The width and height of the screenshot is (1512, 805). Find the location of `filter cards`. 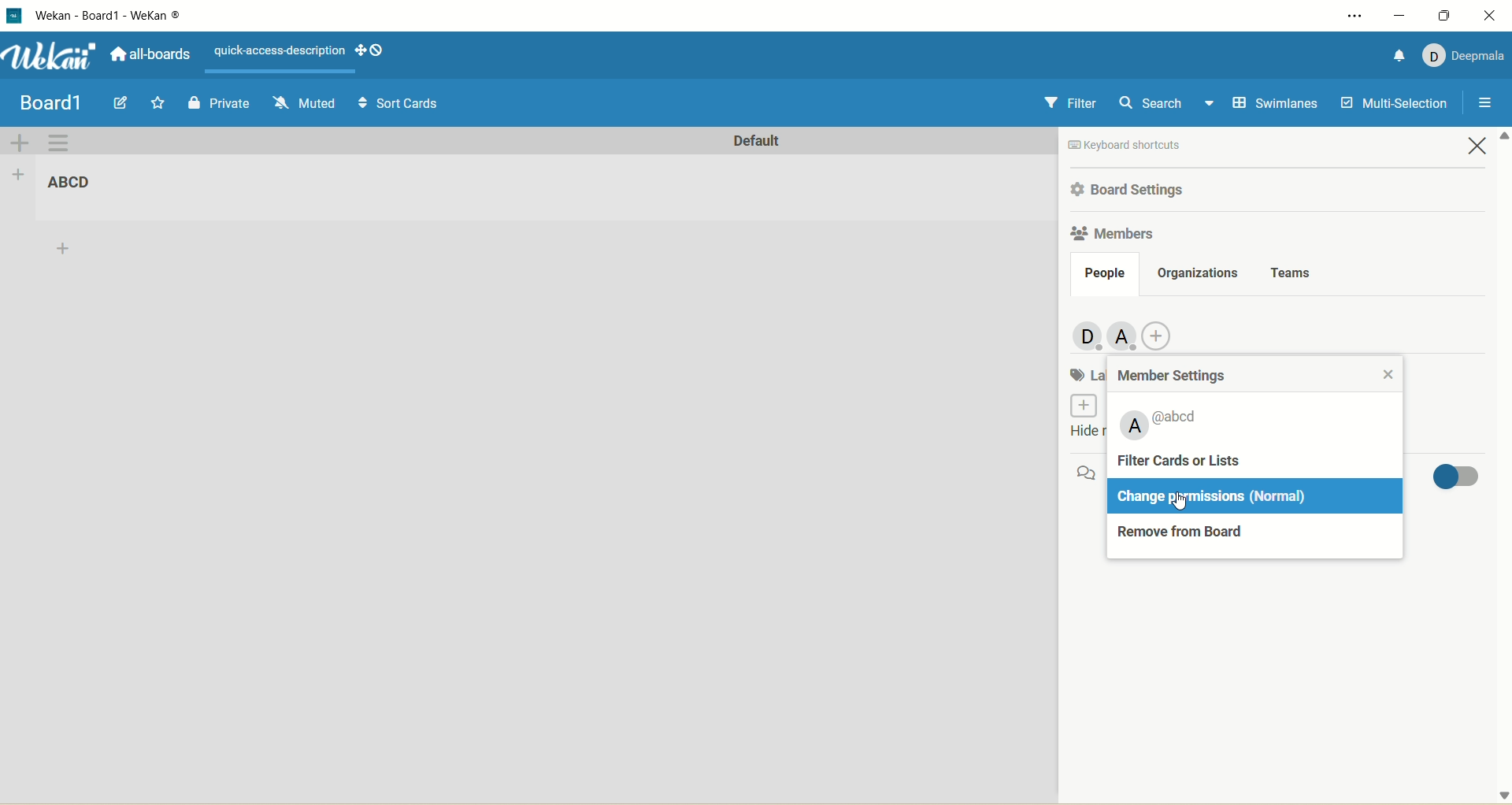

filter cards is located at coordinates (1228, 462).